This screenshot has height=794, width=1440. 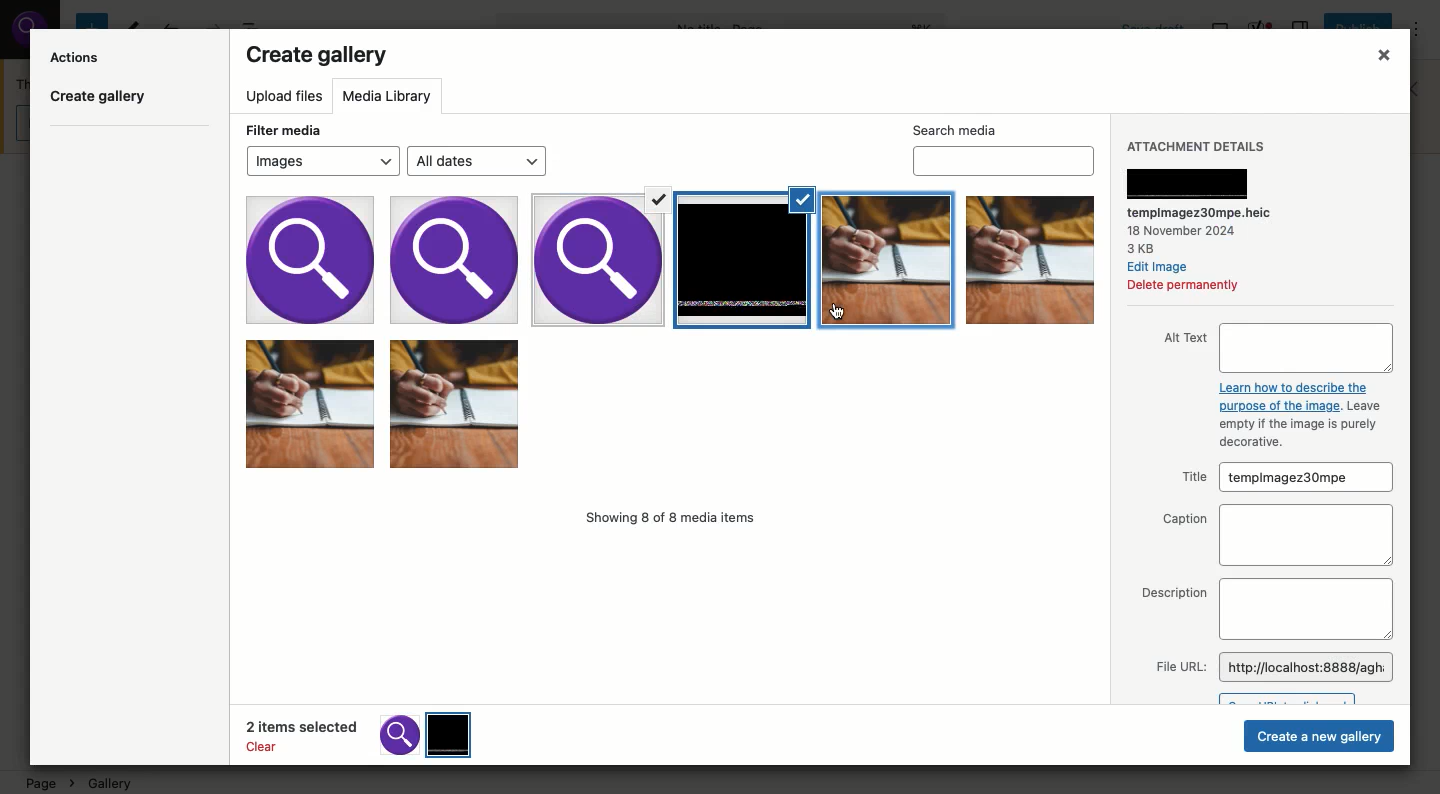 I want to click on Alt text, so click(x=1277, y=352).